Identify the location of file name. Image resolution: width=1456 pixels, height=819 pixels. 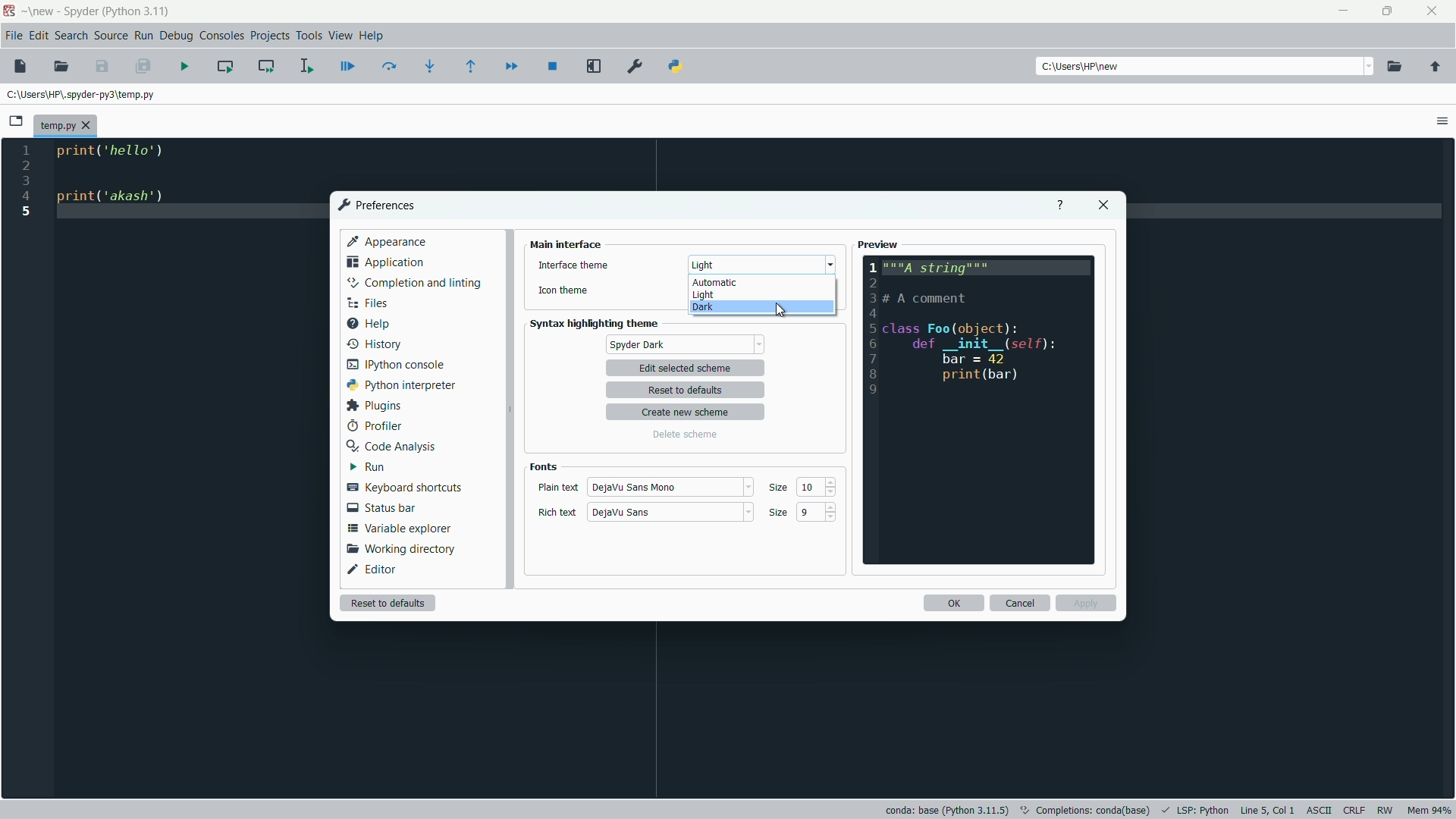
(64, 127).